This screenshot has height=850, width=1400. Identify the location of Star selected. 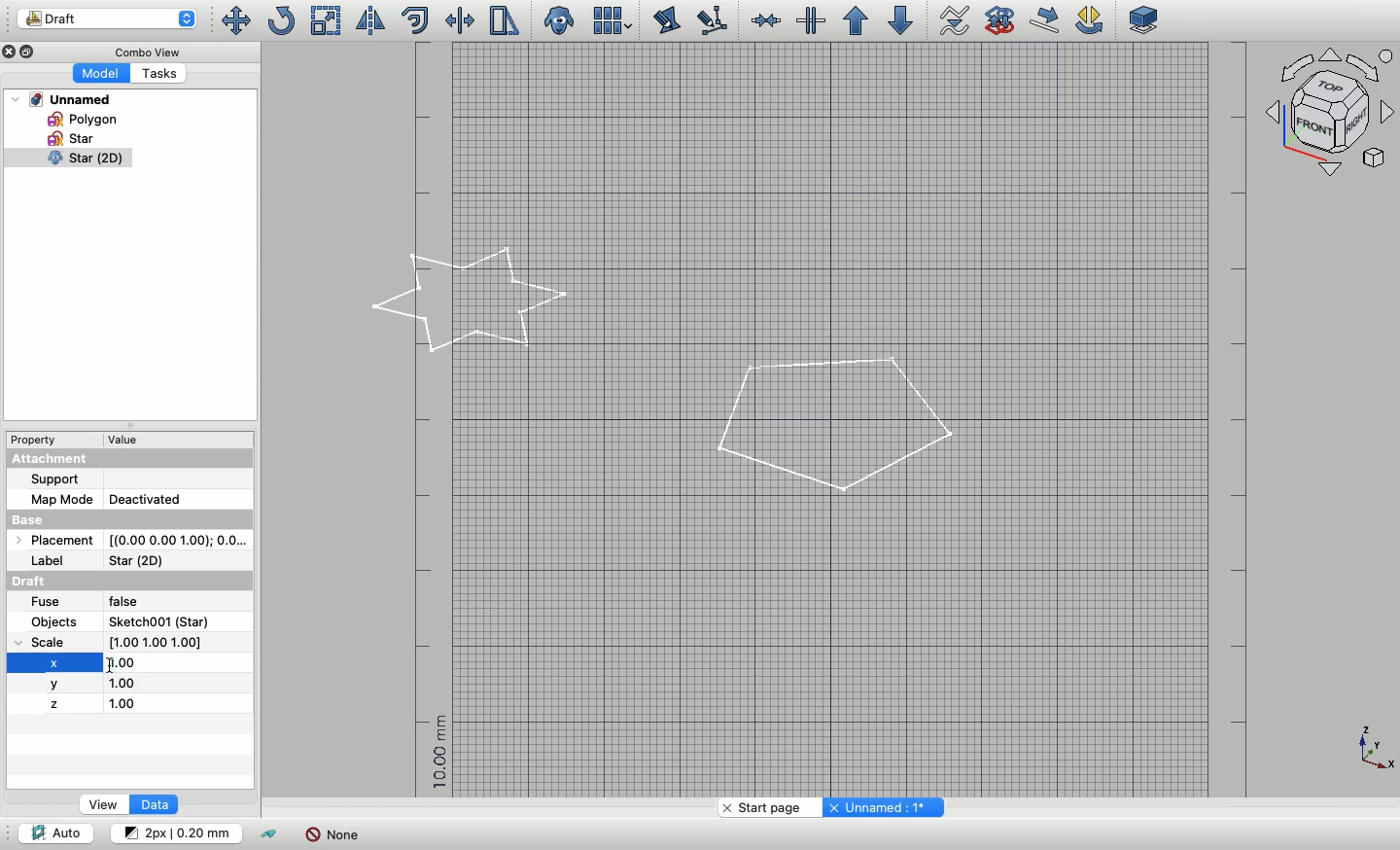
(472, 301).